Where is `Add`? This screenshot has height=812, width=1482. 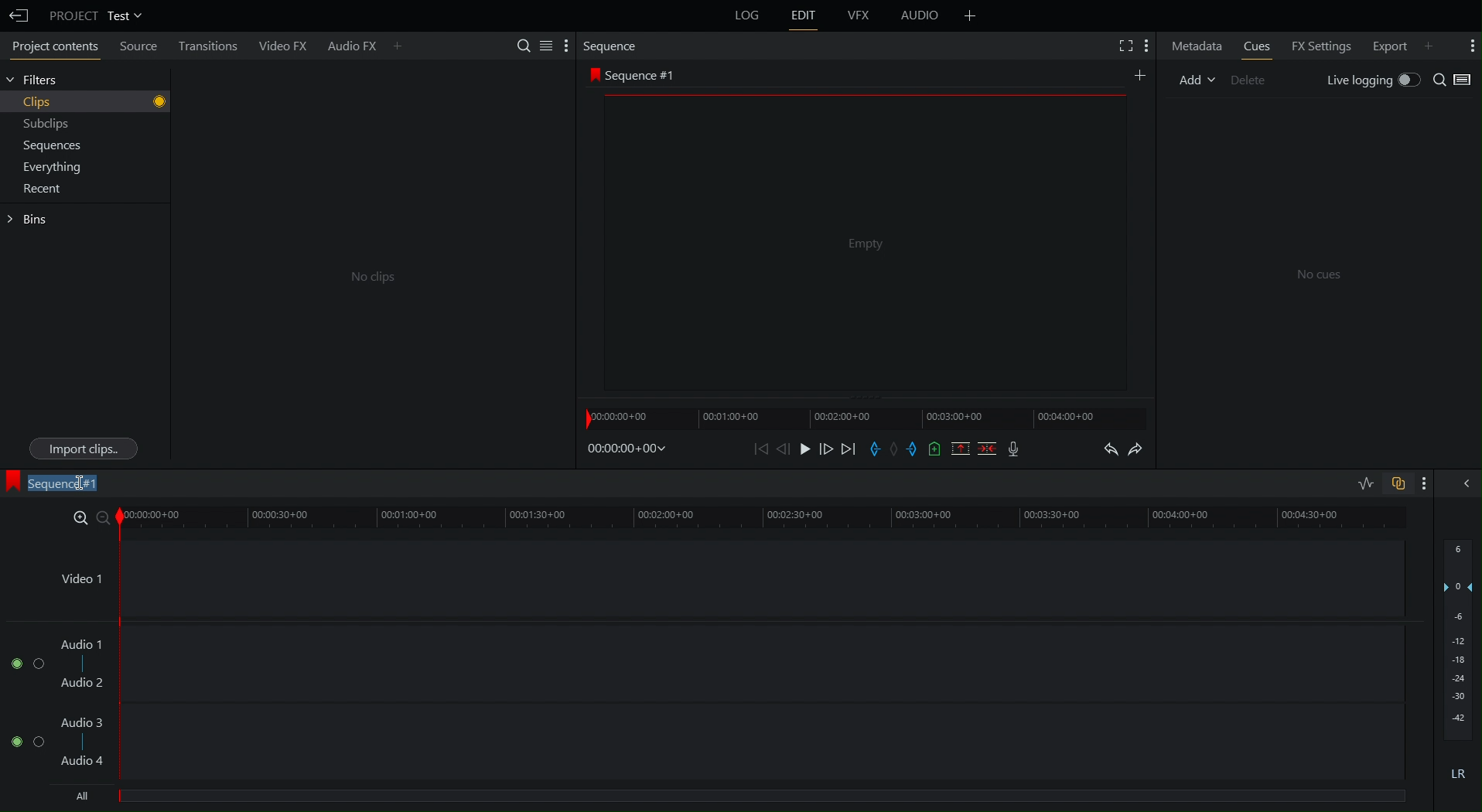 Add is located at coordinates (1193, 82).